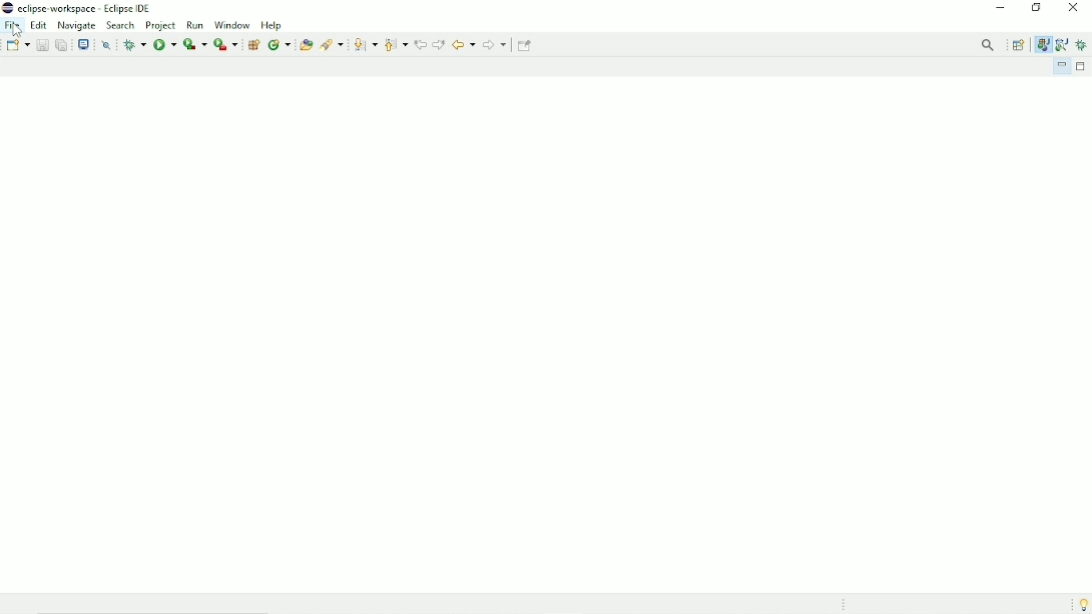 The image size is (1092, 614). What do you see at coordinates (7, 8) in the screenshot?
I see `Logo` at bounding box center [7, 8].